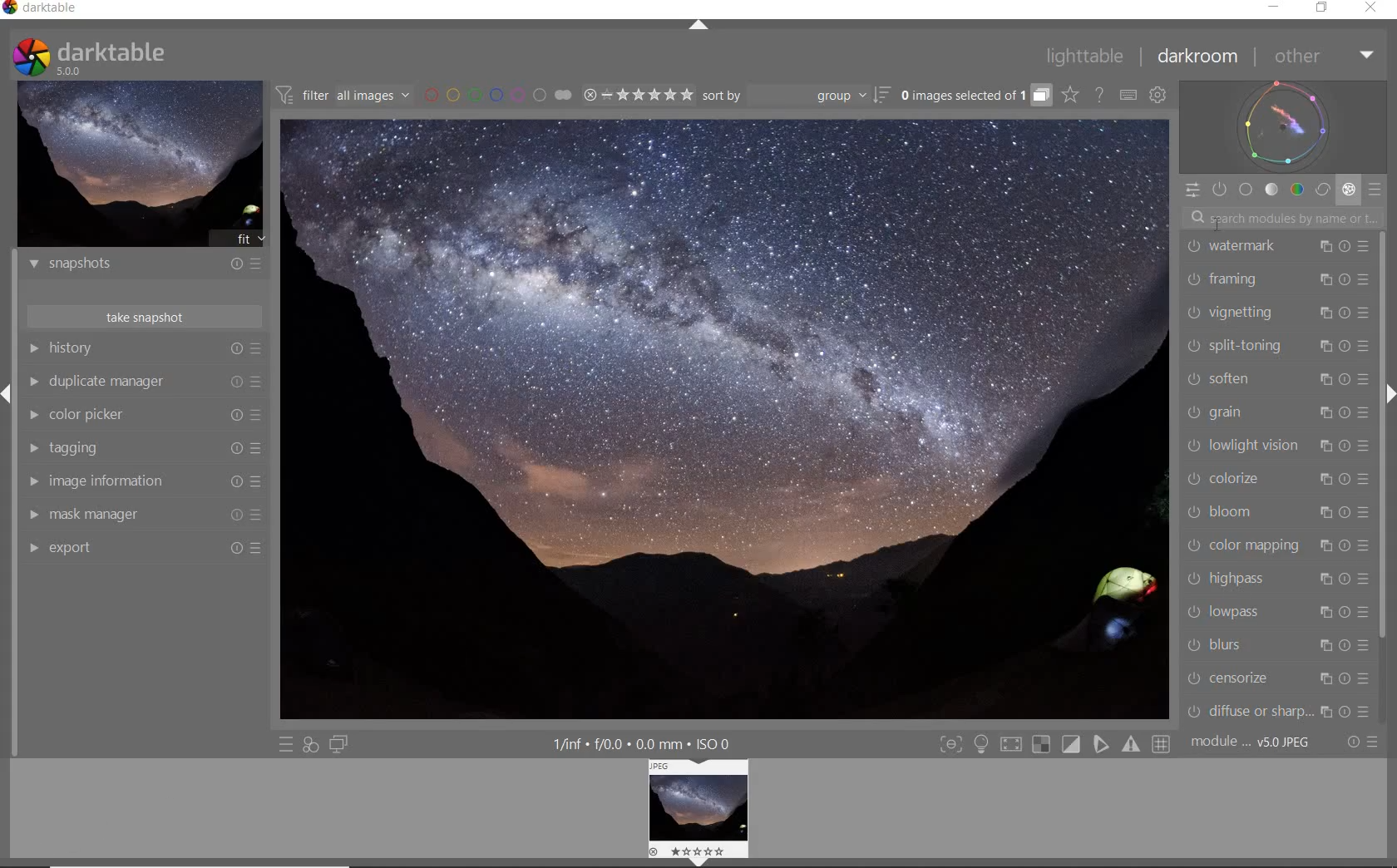 The image size is (1397, 868). What do you see at coordinates (882, 96) in the screenshot?
I see `SORT` at bounding box center [882, 96].